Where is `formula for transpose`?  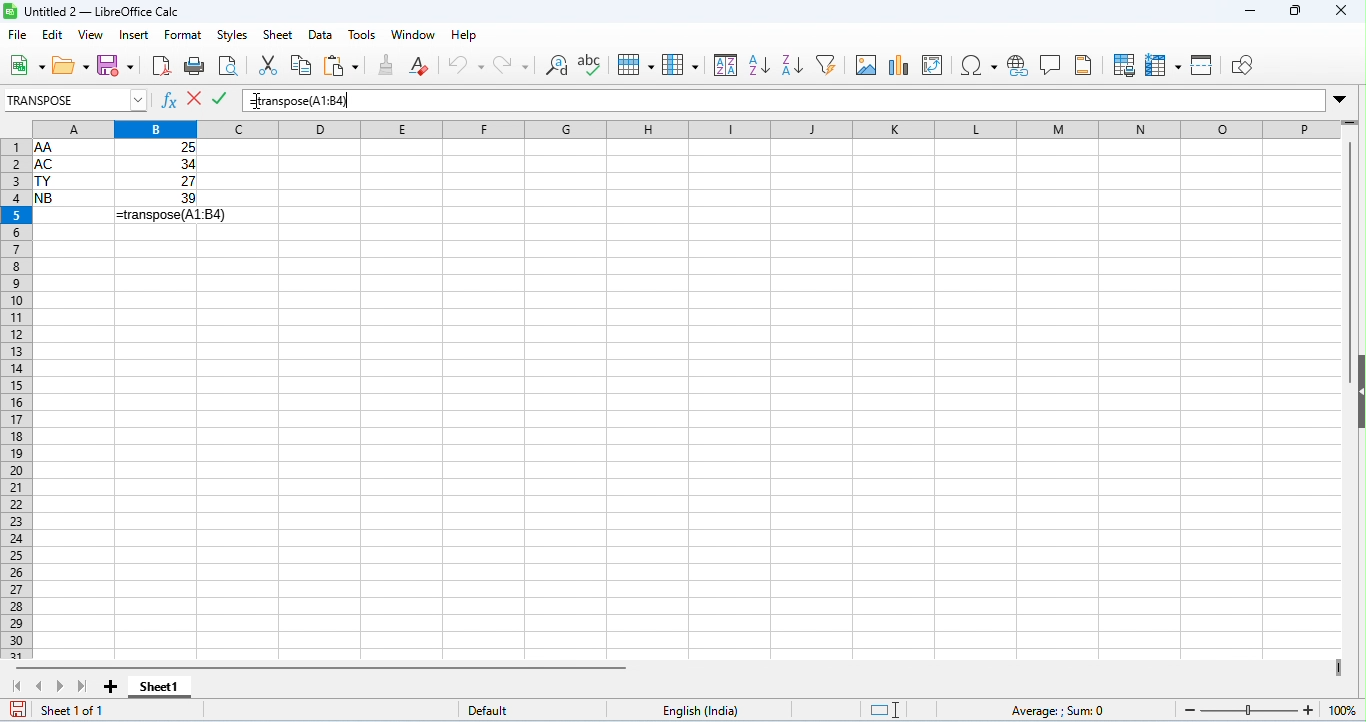 formula for transpose is located at coordinates (310, 99).